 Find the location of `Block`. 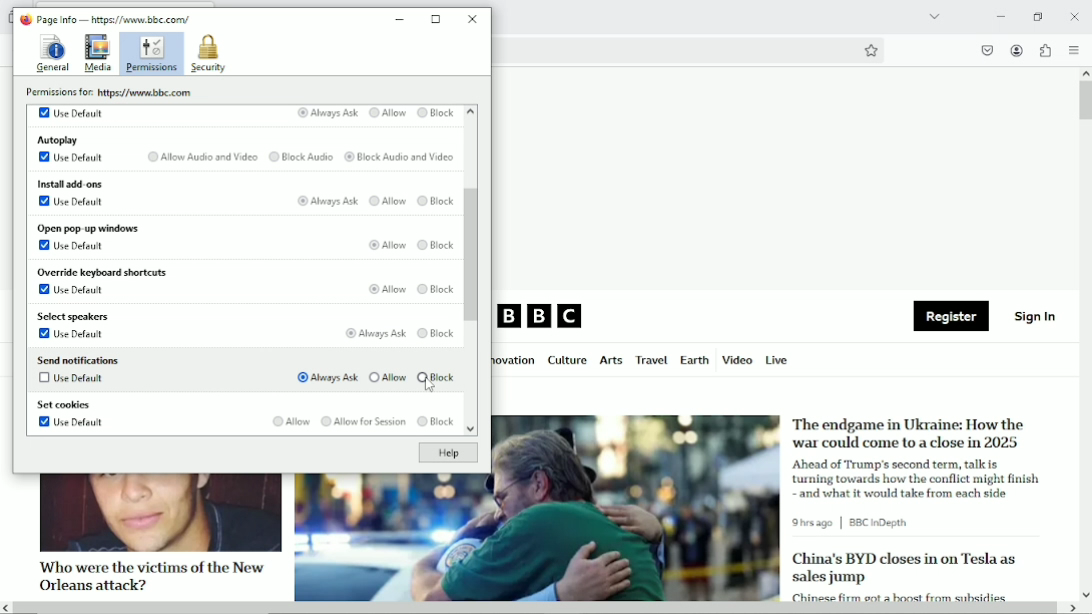

Block is located at coordinates (436, 291).